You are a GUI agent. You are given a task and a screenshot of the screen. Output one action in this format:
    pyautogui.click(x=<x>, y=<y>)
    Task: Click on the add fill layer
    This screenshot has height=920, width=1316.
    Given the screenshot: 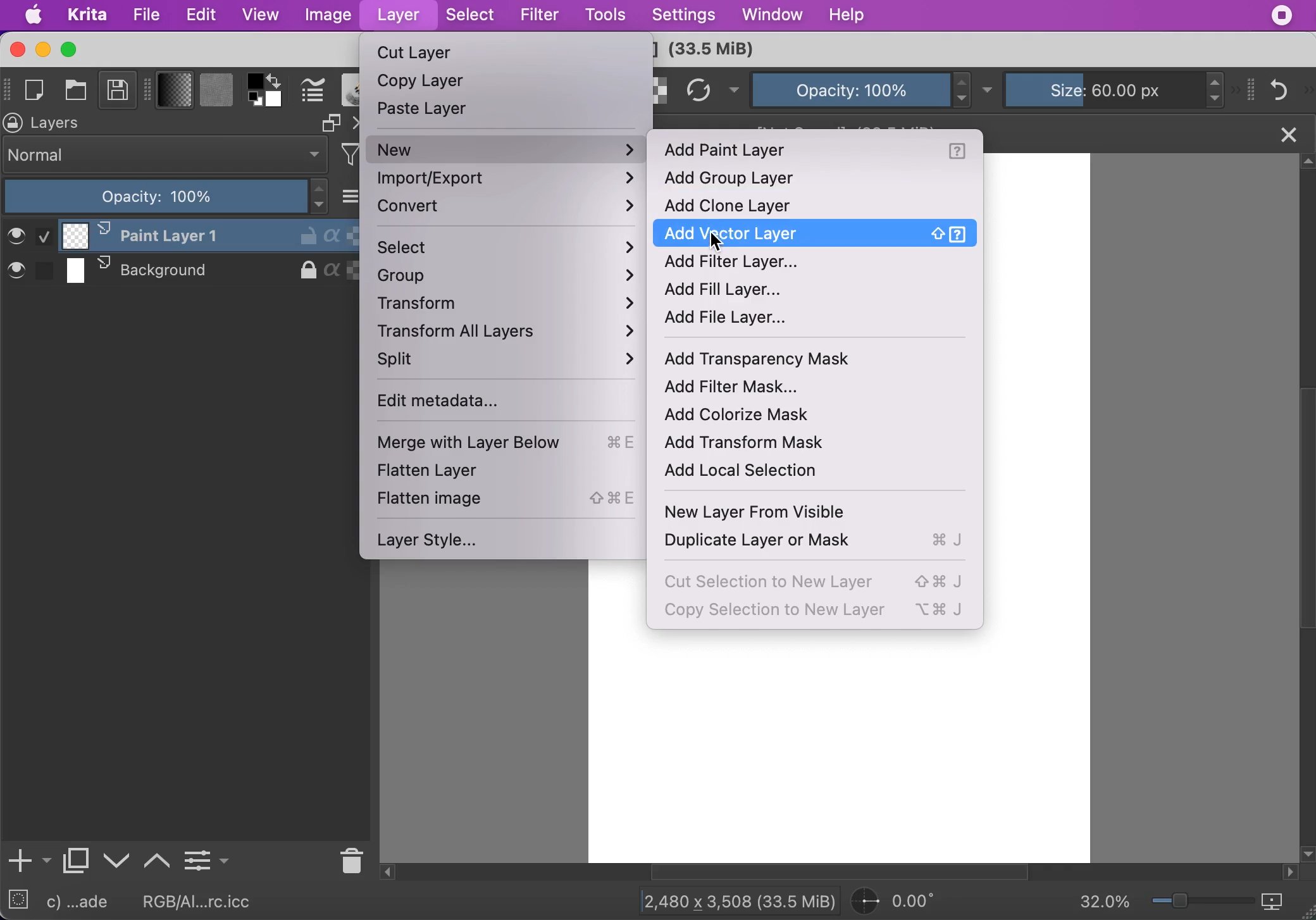 What is the action you would take?
    pyautogui.click(x=734, y=291)
    